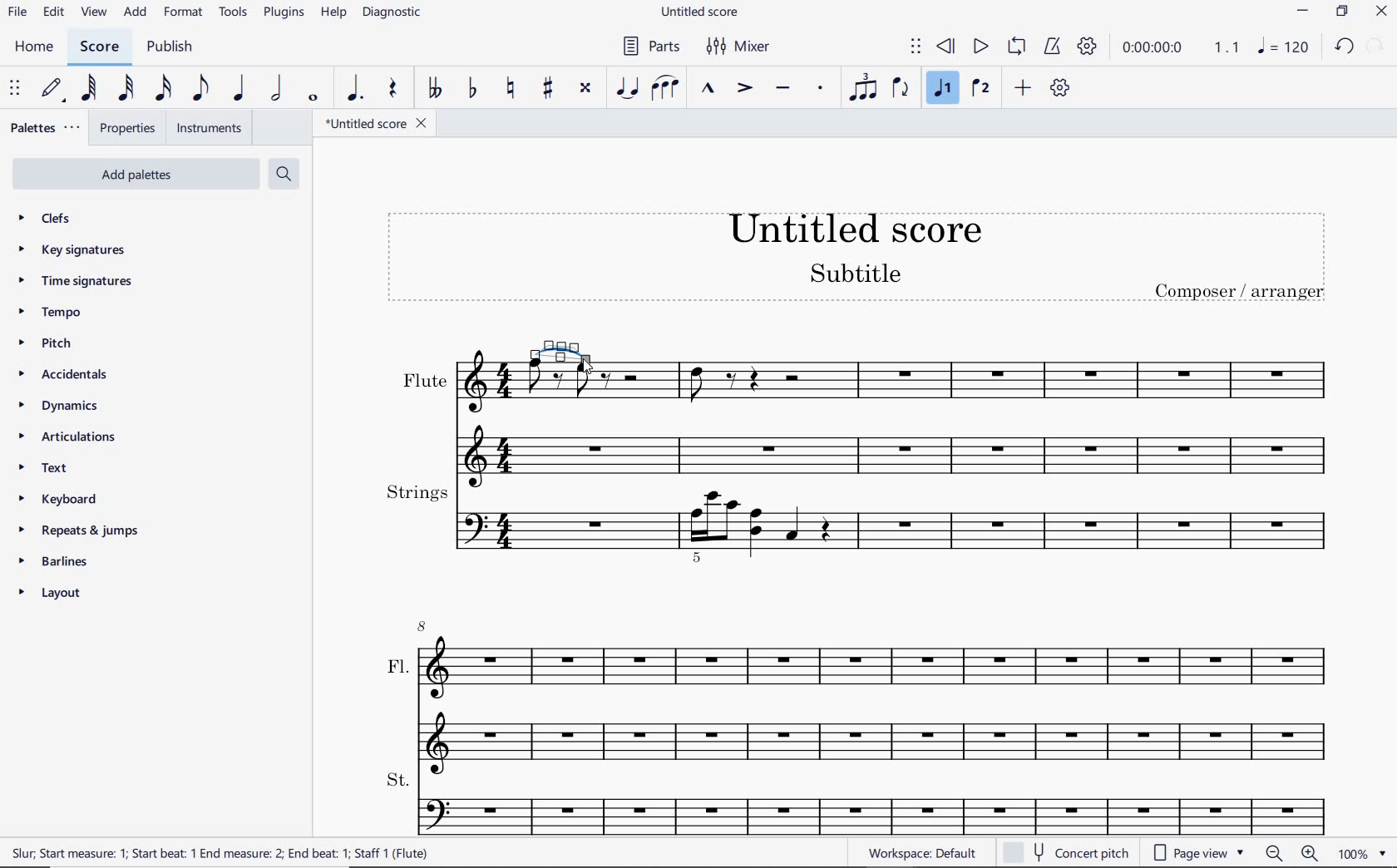 The image size is (1397, 868). What do you see at coordinates (314, 100) in the screenshot?
I see `WHOLE NOTE` at bounding box center [314, 100].